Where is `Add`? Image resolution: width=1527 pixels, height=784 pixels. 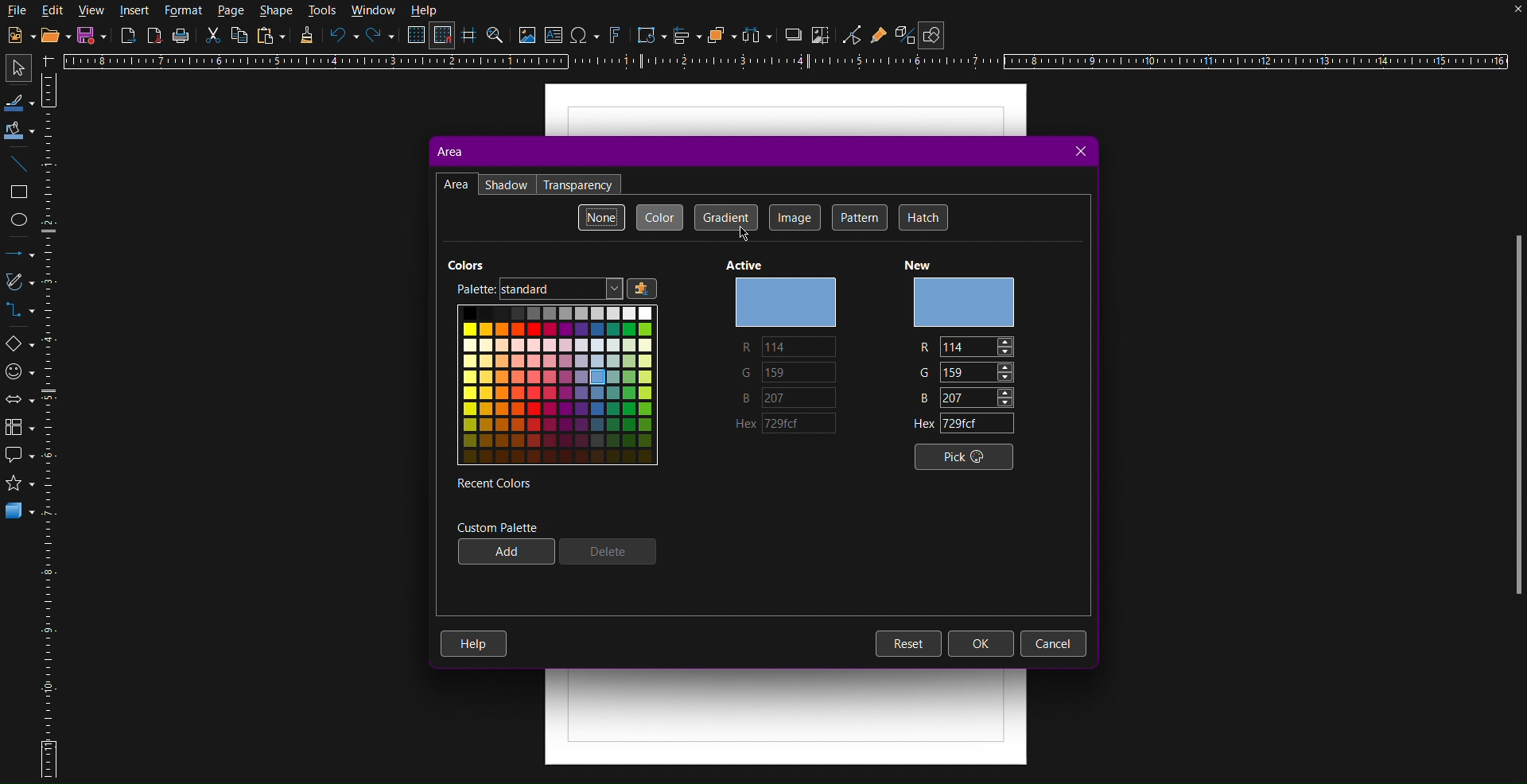 Add is located at coordinates (506, 552).